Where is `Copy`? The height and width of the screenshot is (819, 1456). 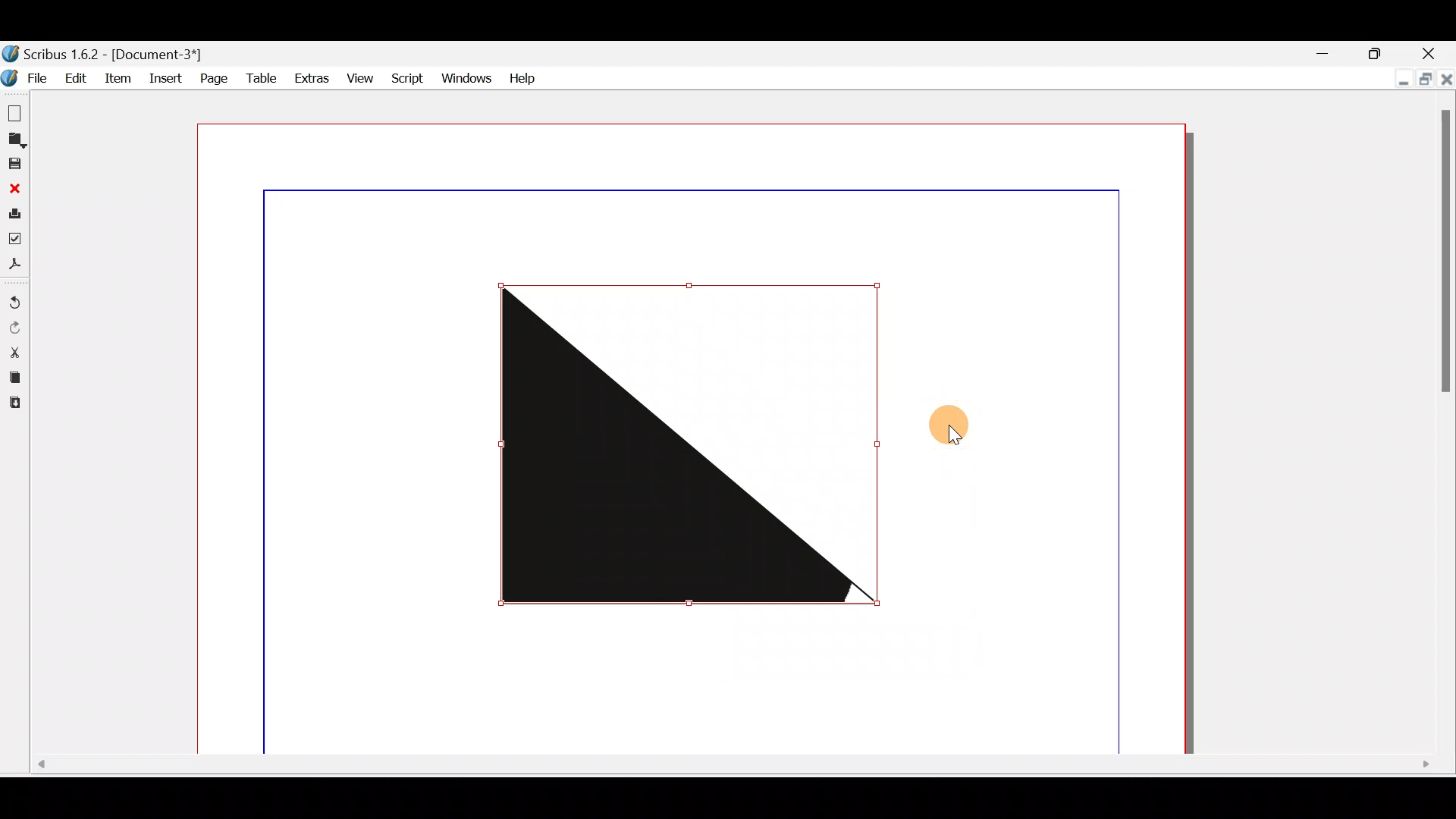
Copy is located at coordinates (14, 375).